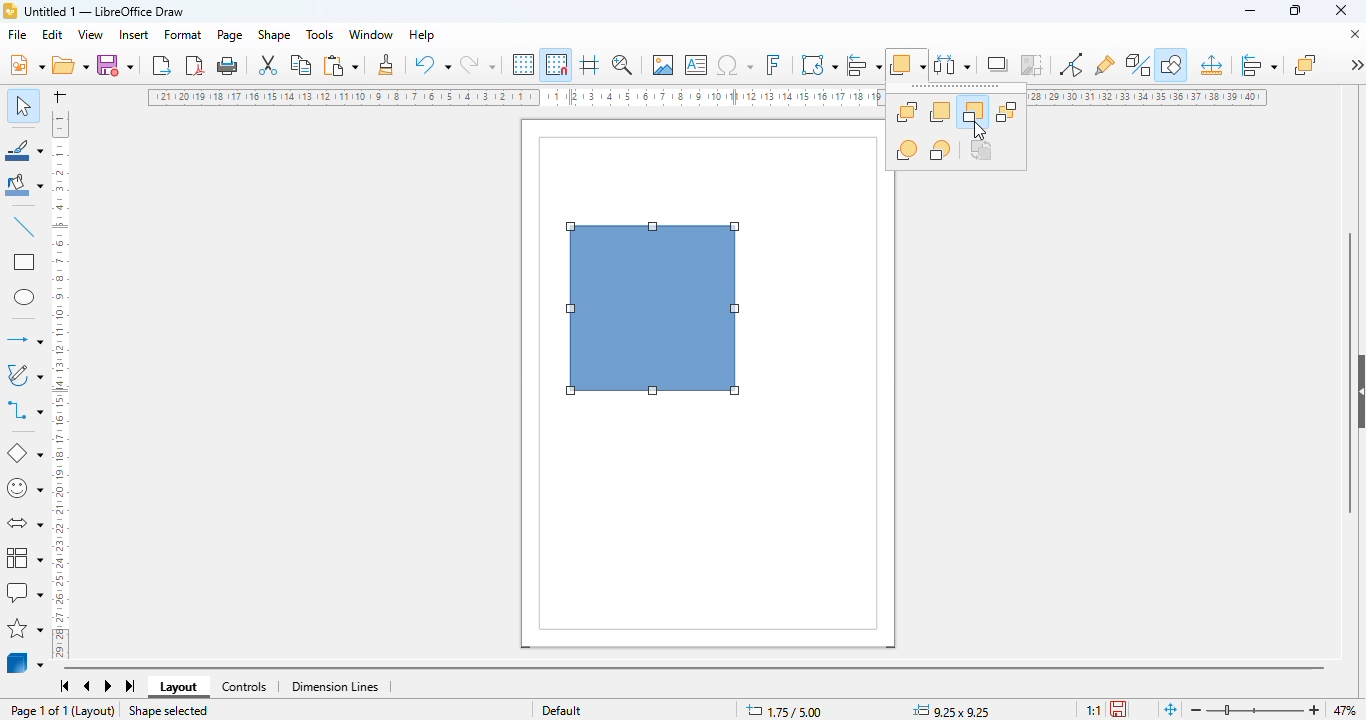 This screenshot has width=1366, height=720. What do you see at coordinates (1211, 65) in the screenshot?
I see `position and size` at bounding box center [1211, 65].